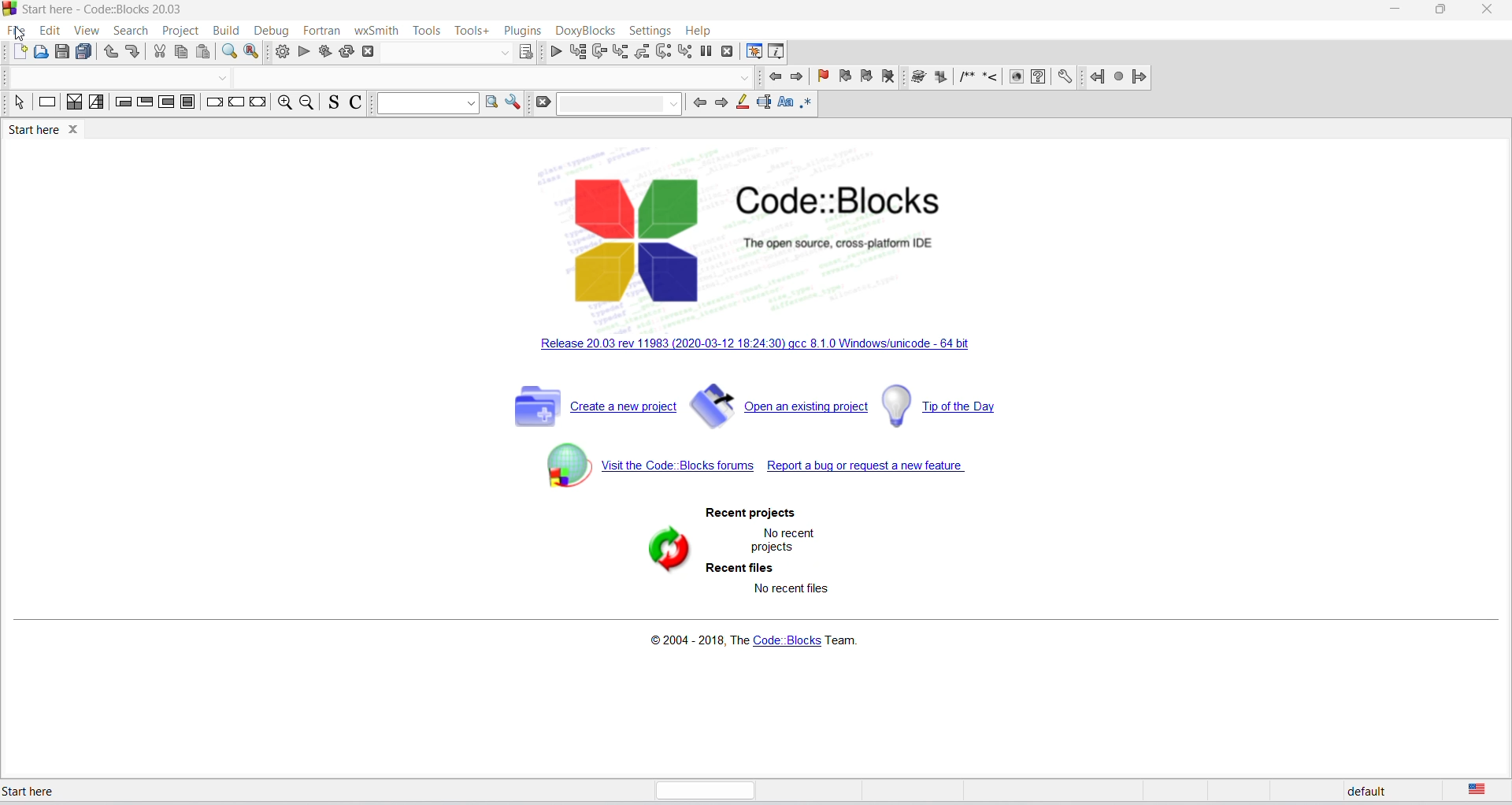  What do you see at coordinates (796, 77) in the screenshot?
I see `next` at bounding box center [796, 77].